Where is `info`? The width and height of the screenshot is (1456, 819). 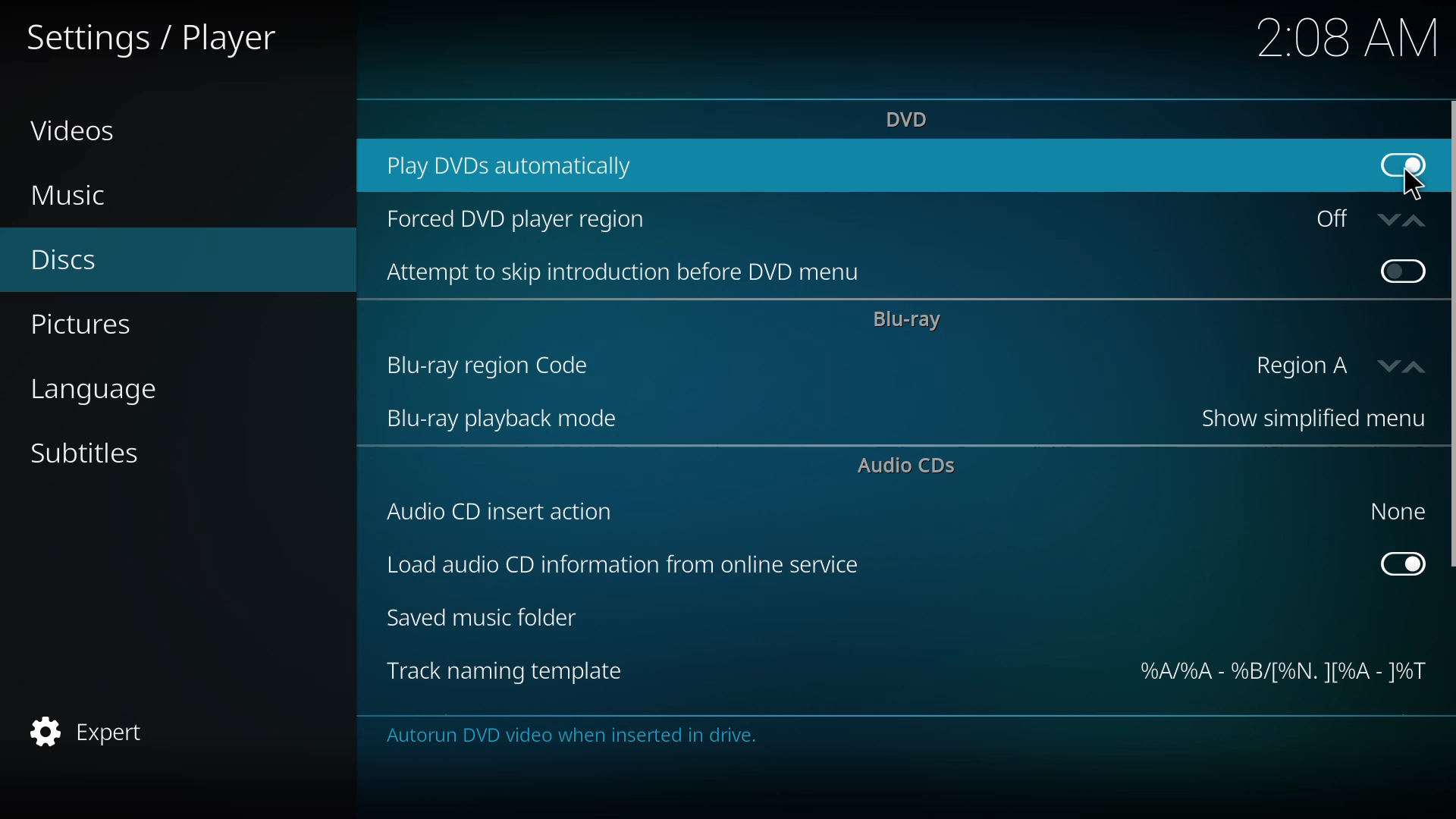 info is located at coordinates (575, 736).